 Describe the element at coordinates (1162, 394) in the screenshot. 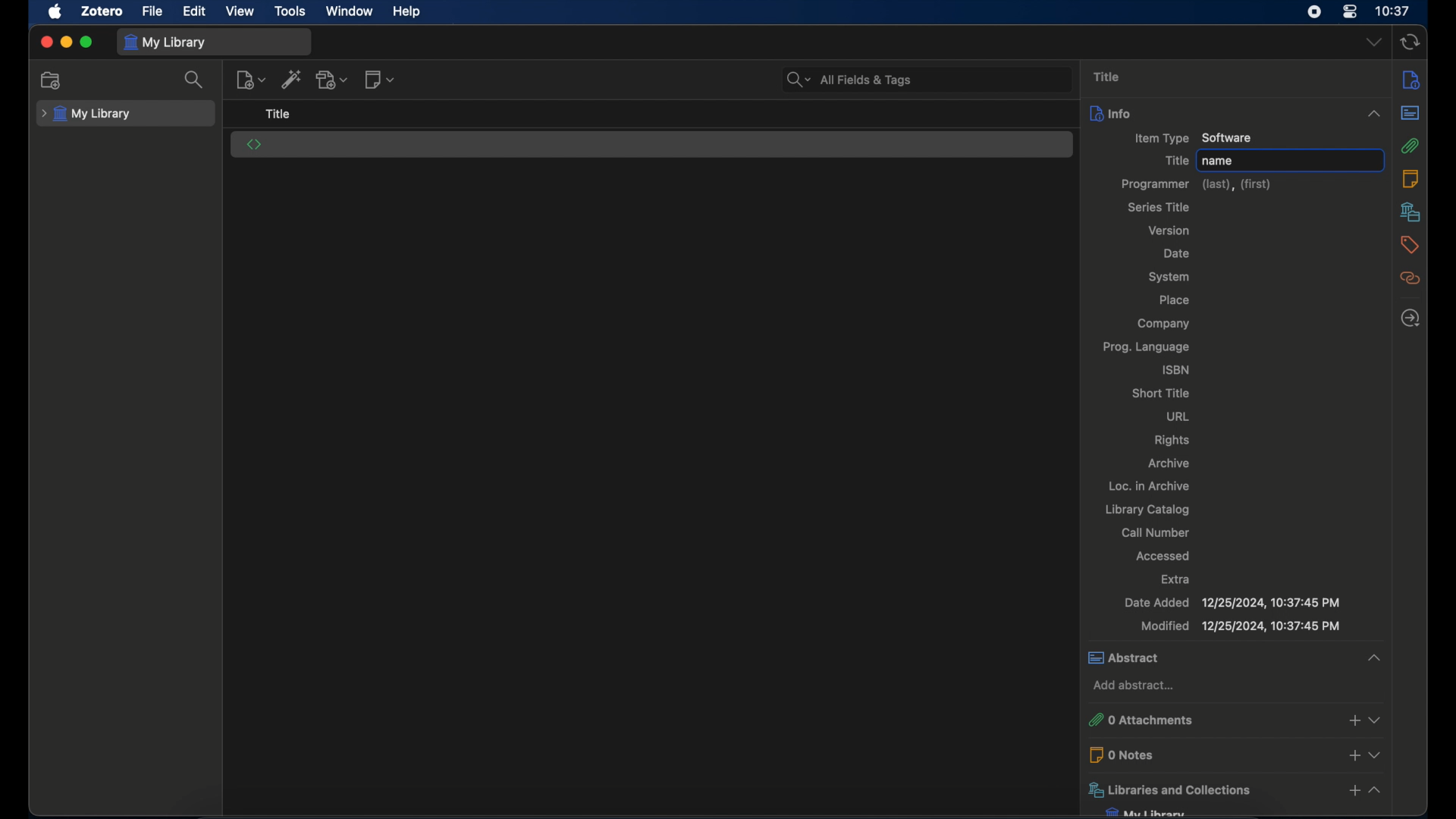

I see `short title` at that location.